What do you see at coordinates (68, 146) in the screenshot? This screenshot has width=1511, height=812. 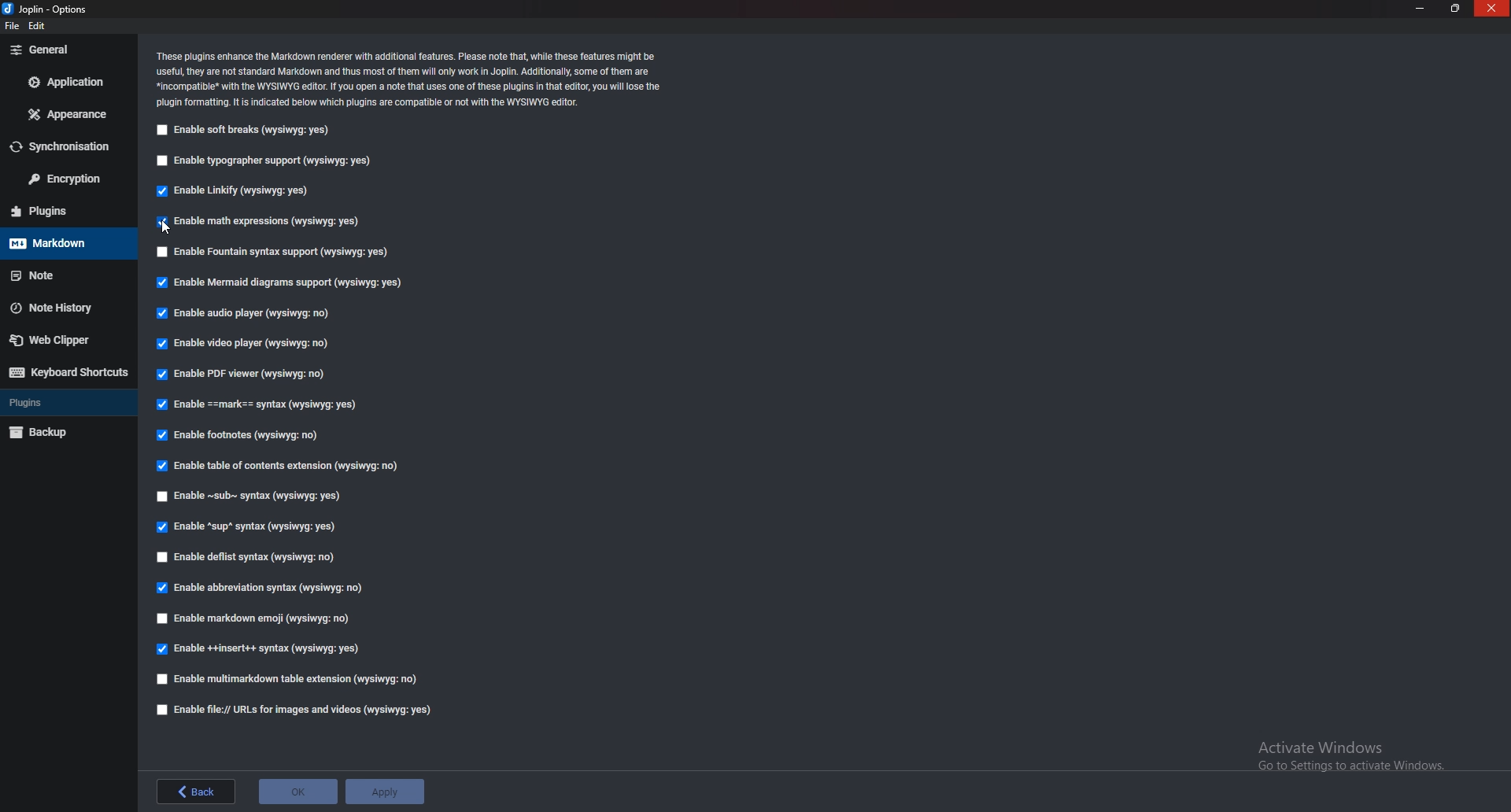 I see `Synchronization` at bounding box center [68, 146].